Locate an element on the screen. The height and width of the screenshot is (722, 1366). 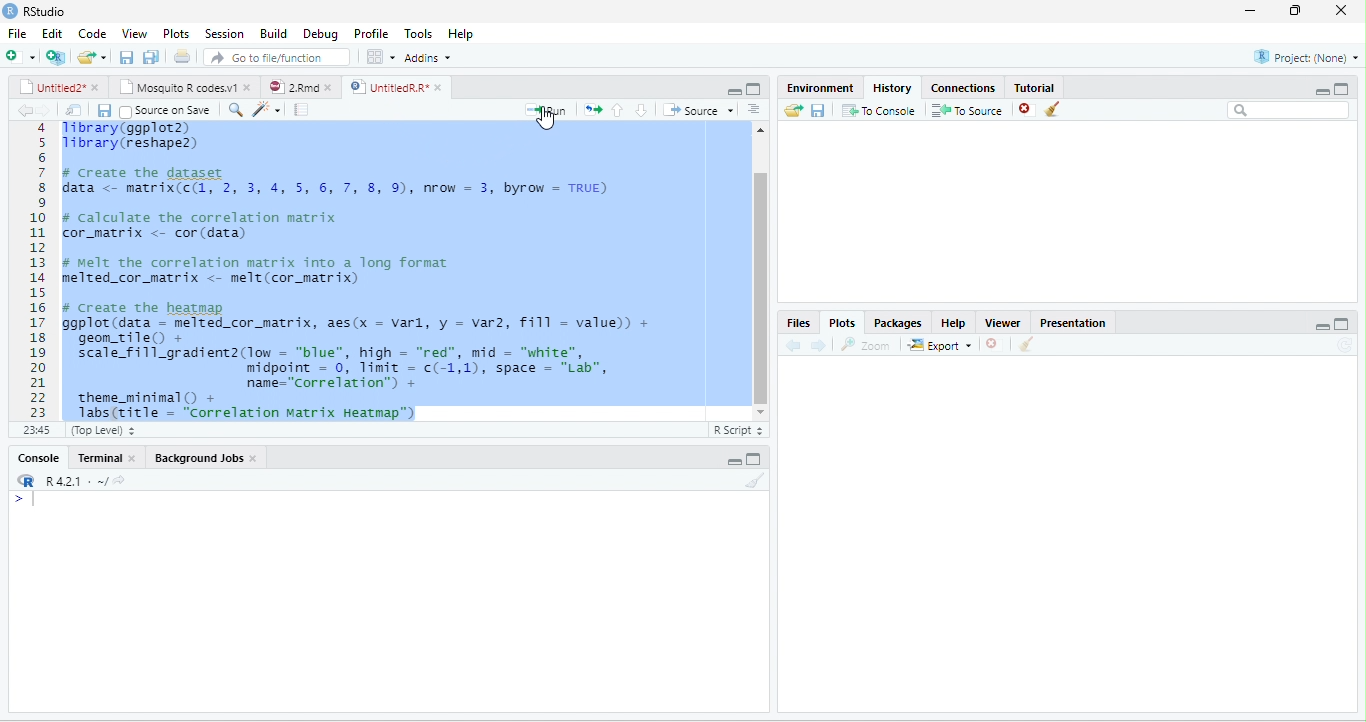
slidebar is located at coordinates (756, 270).